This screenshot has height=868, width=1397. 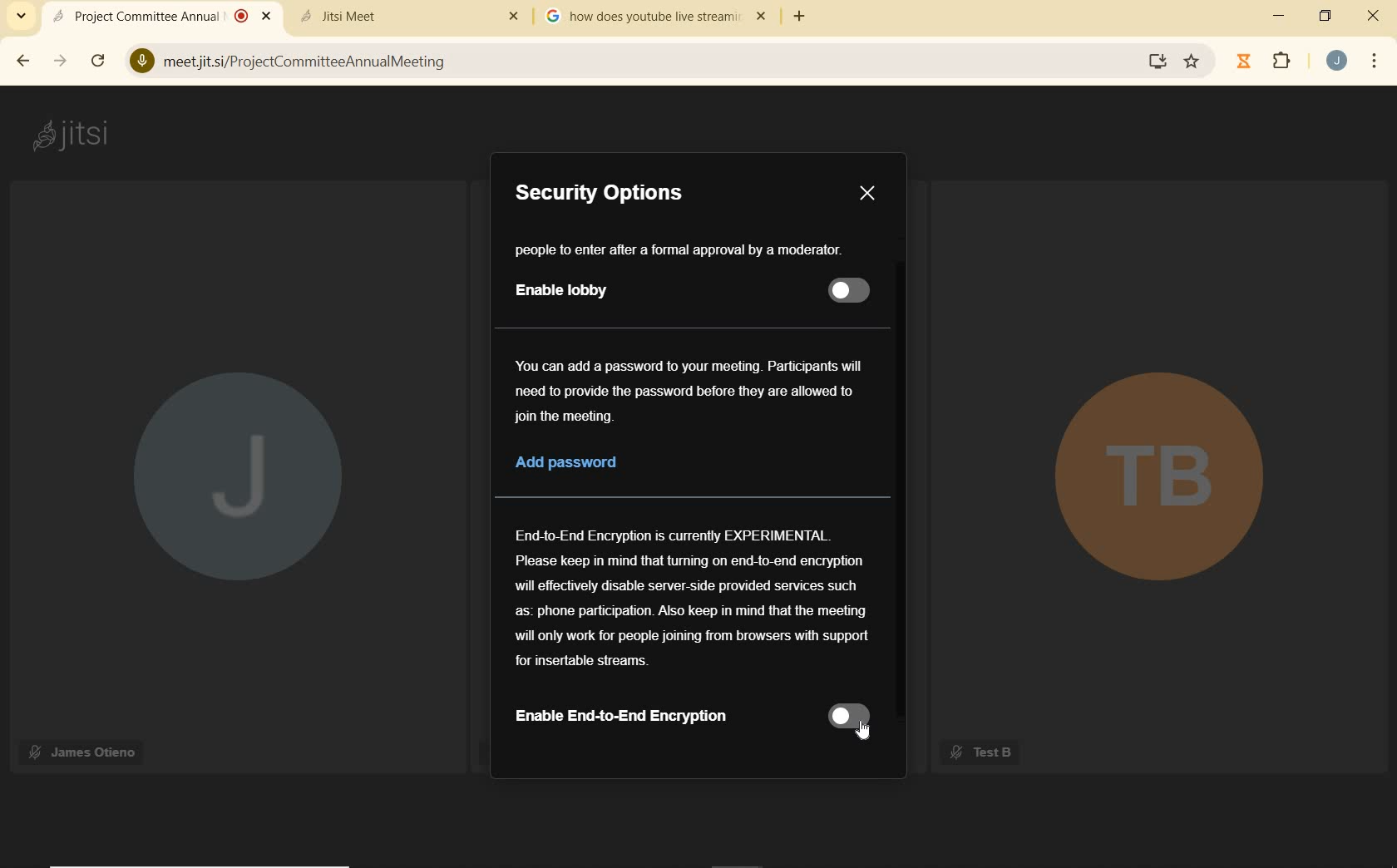 What do you see at coordinates (581, 463) in the screenshot?
I see `Add password` at bounding box center [581, 463].